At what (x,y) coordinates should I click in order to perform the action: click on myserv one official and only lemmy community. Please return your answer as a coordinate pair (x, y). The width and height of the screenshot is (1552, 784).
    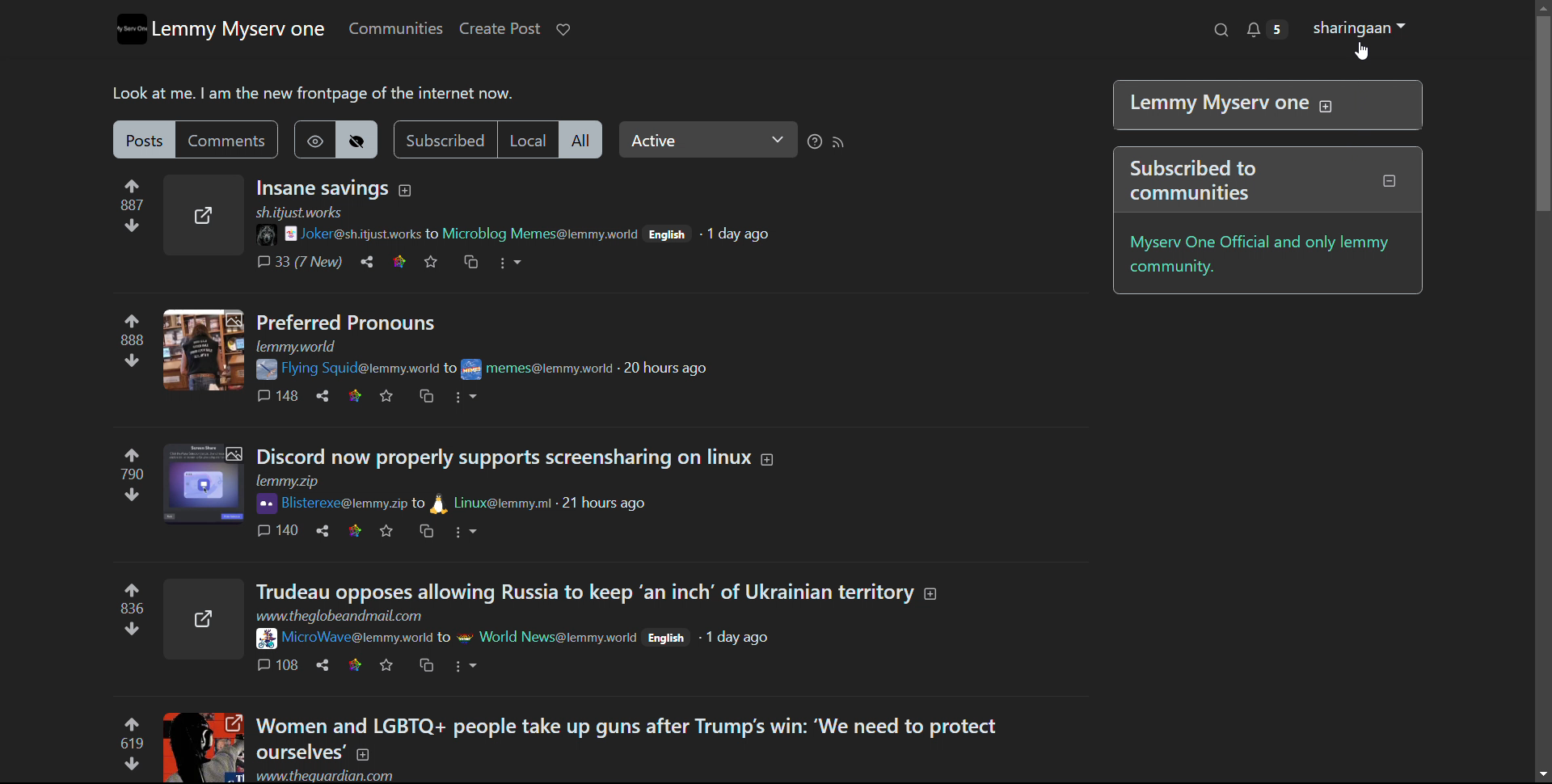
    Looking at the image, I should click on (1267, 255).